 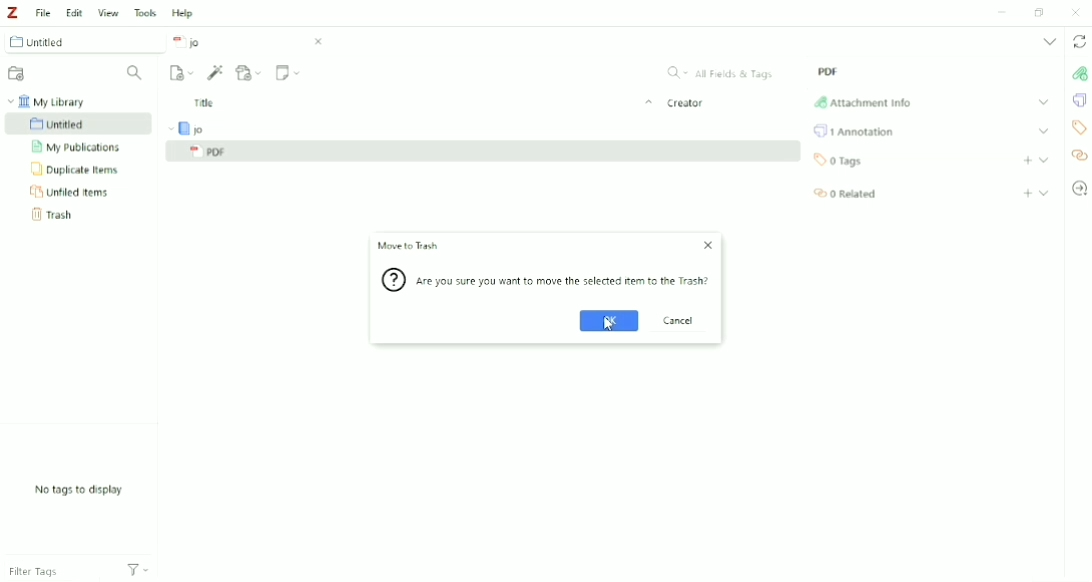 What do you see at coordinates (1045, 193) in the screenshot?
I see `Expand section` at bounding box center [1045, 193].